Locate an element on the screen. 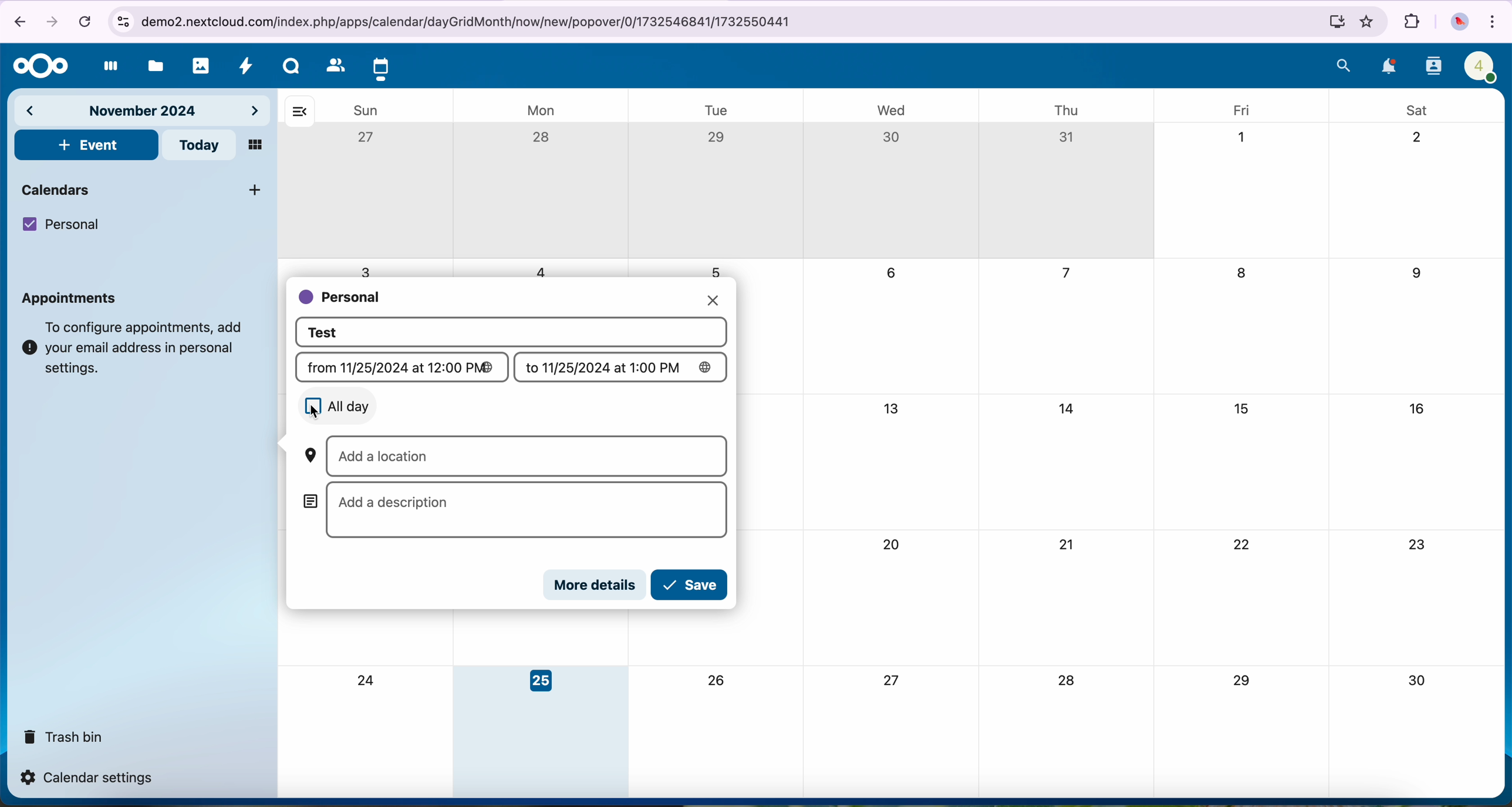 The height and width of the screenshot is (807, 1512). controls is located at coordinates (122, 22).